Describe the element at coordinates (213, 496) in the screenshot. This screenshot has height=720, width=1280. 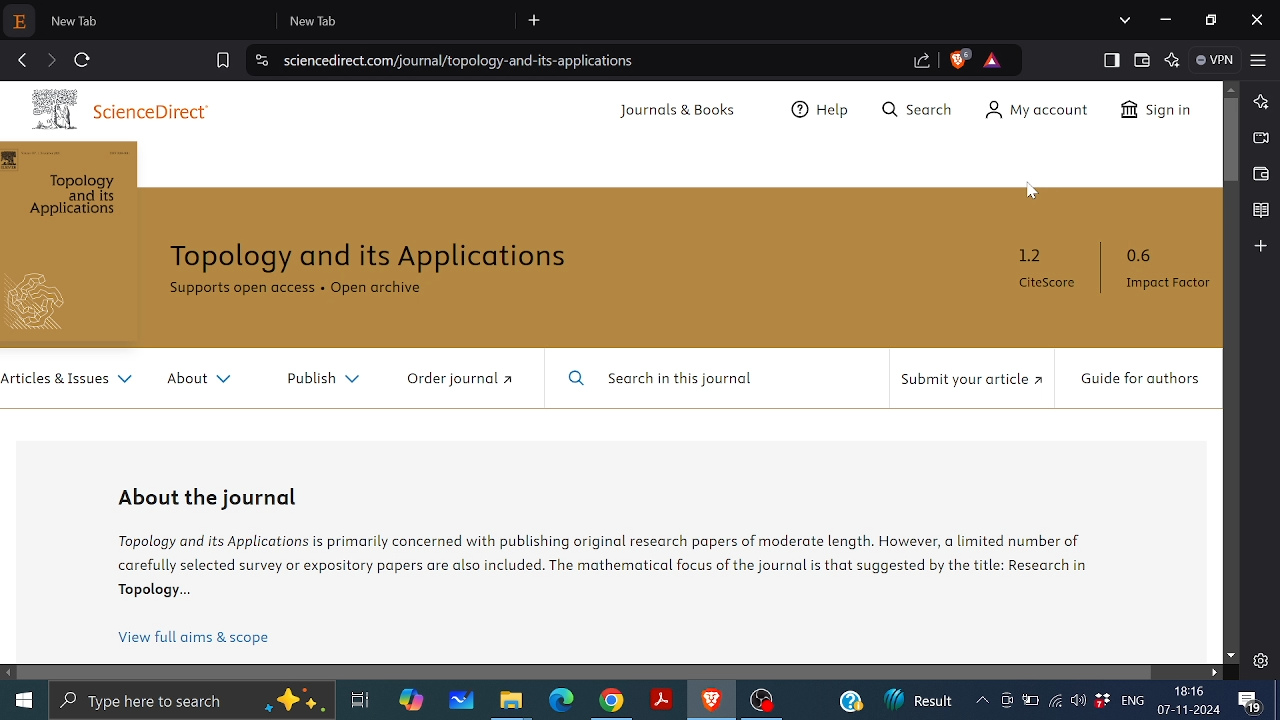
I see `About the Journal` at that location.